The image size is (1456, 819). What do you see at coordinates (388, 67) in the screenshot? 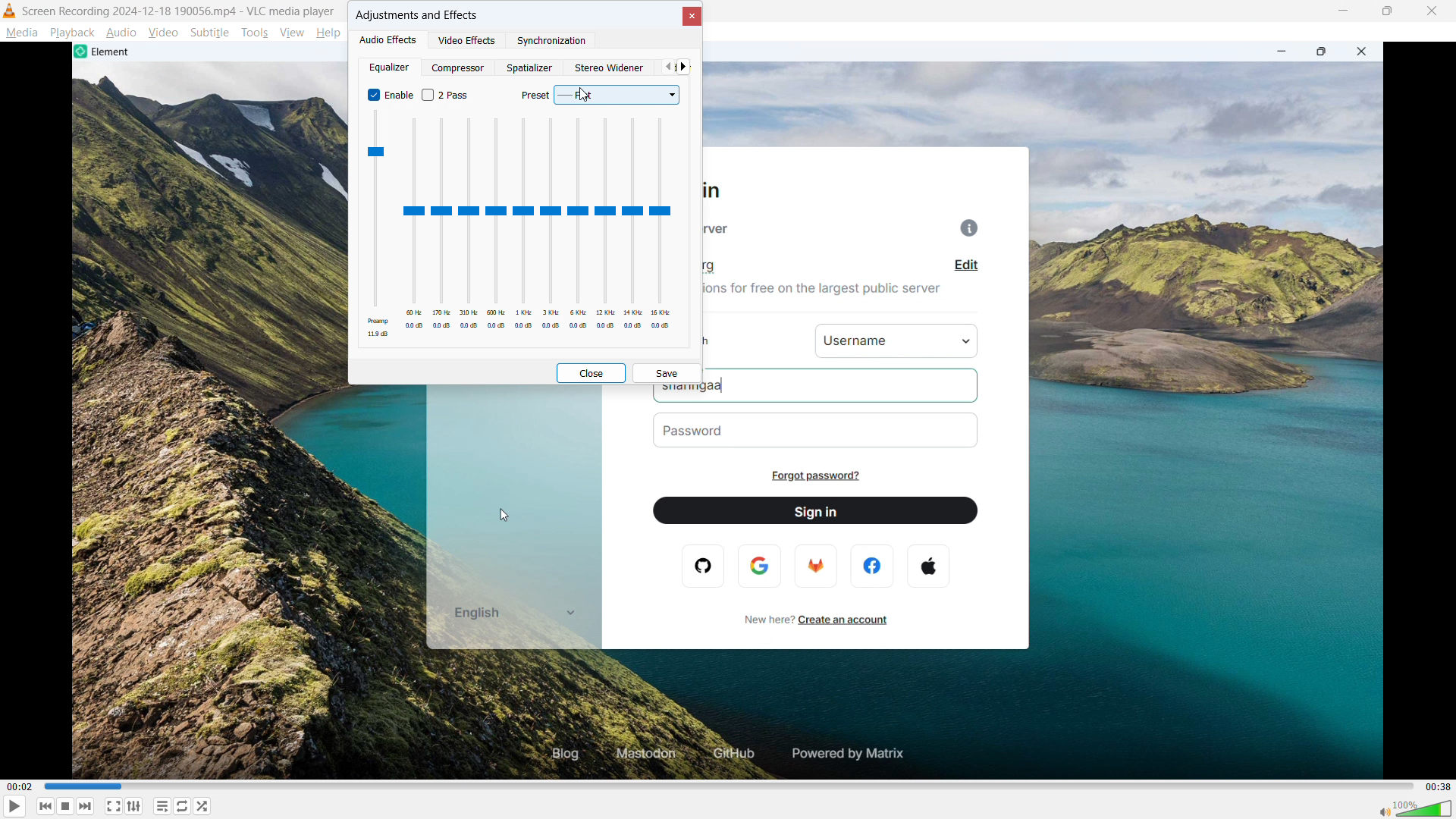
I see `equalizer ` at bounding box center [388, 67].